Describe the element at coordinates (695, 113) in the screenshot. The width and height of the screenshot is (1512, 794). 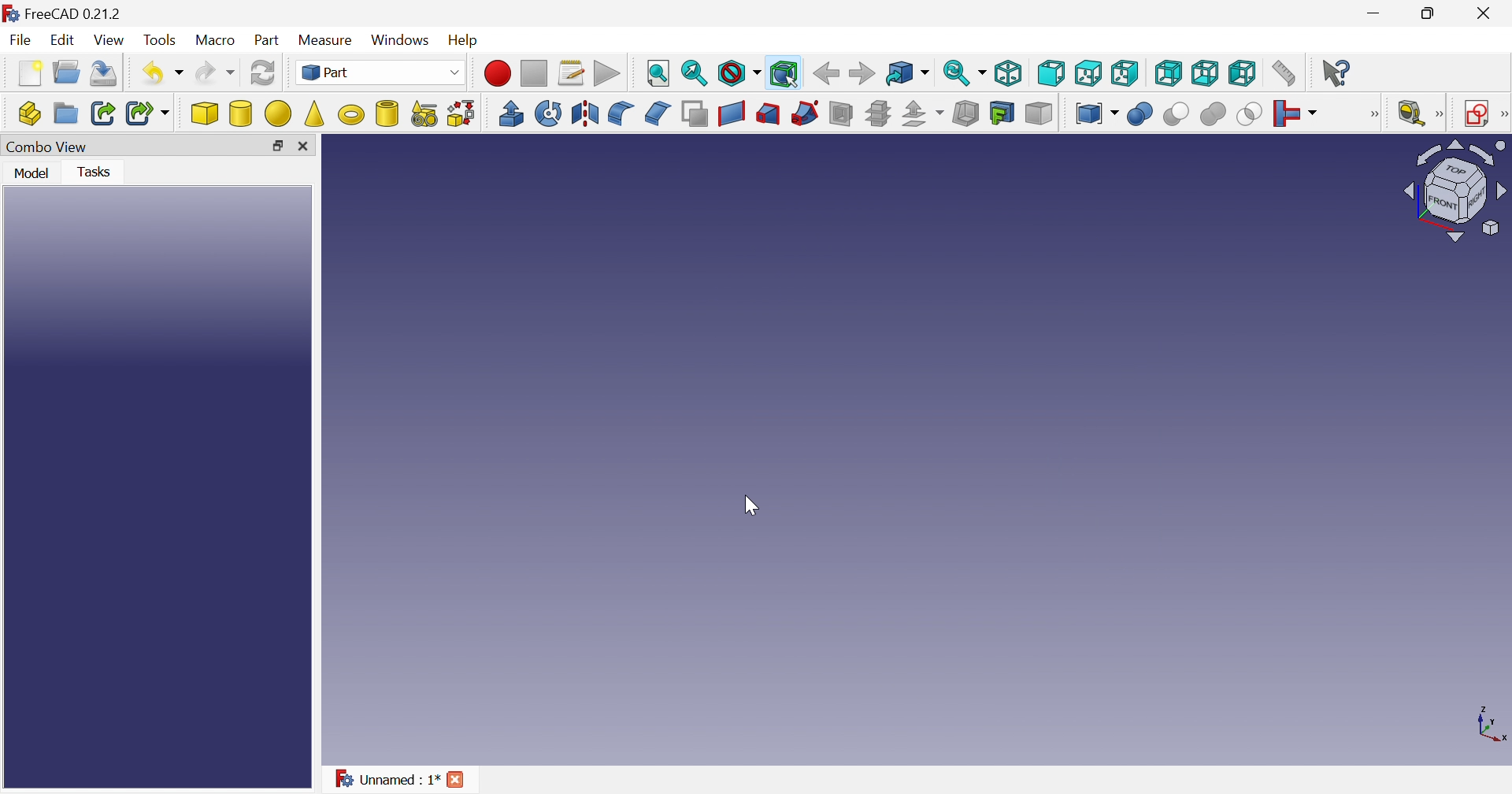
I see `Make face from wires` at that location.